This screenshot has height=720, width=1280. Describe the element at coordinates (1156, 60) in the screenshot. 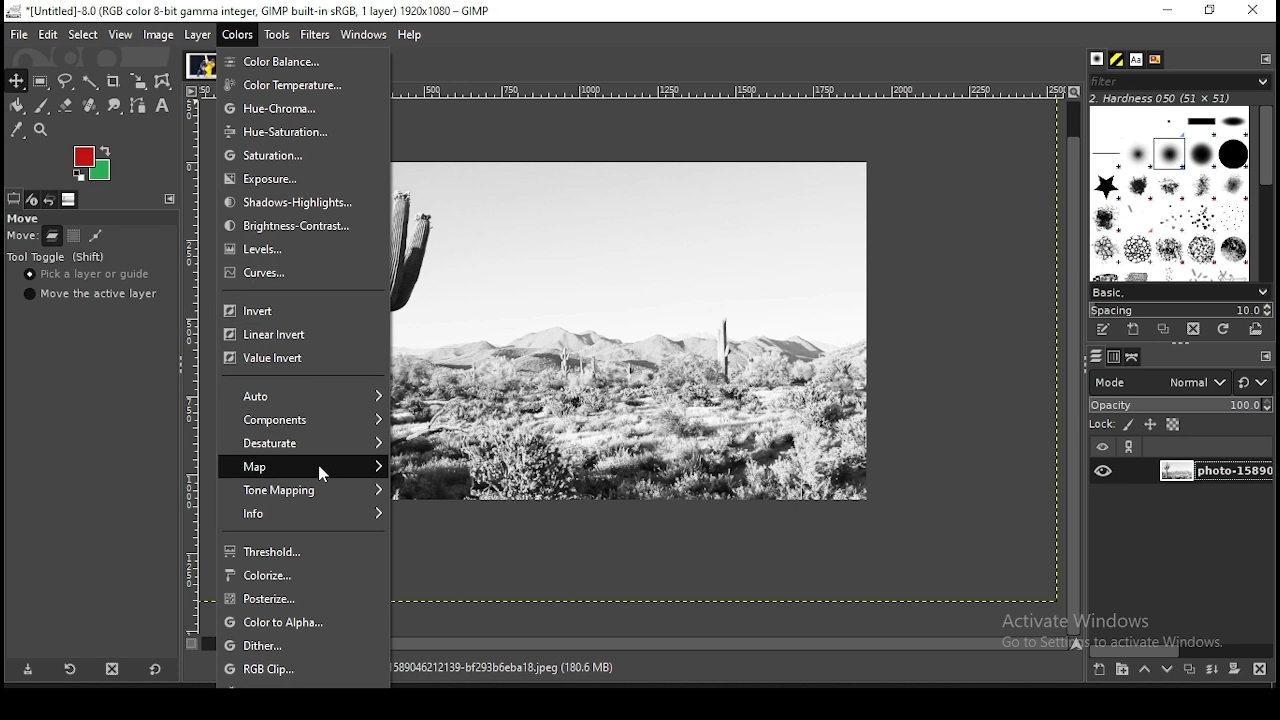

I see `document history` at that location.